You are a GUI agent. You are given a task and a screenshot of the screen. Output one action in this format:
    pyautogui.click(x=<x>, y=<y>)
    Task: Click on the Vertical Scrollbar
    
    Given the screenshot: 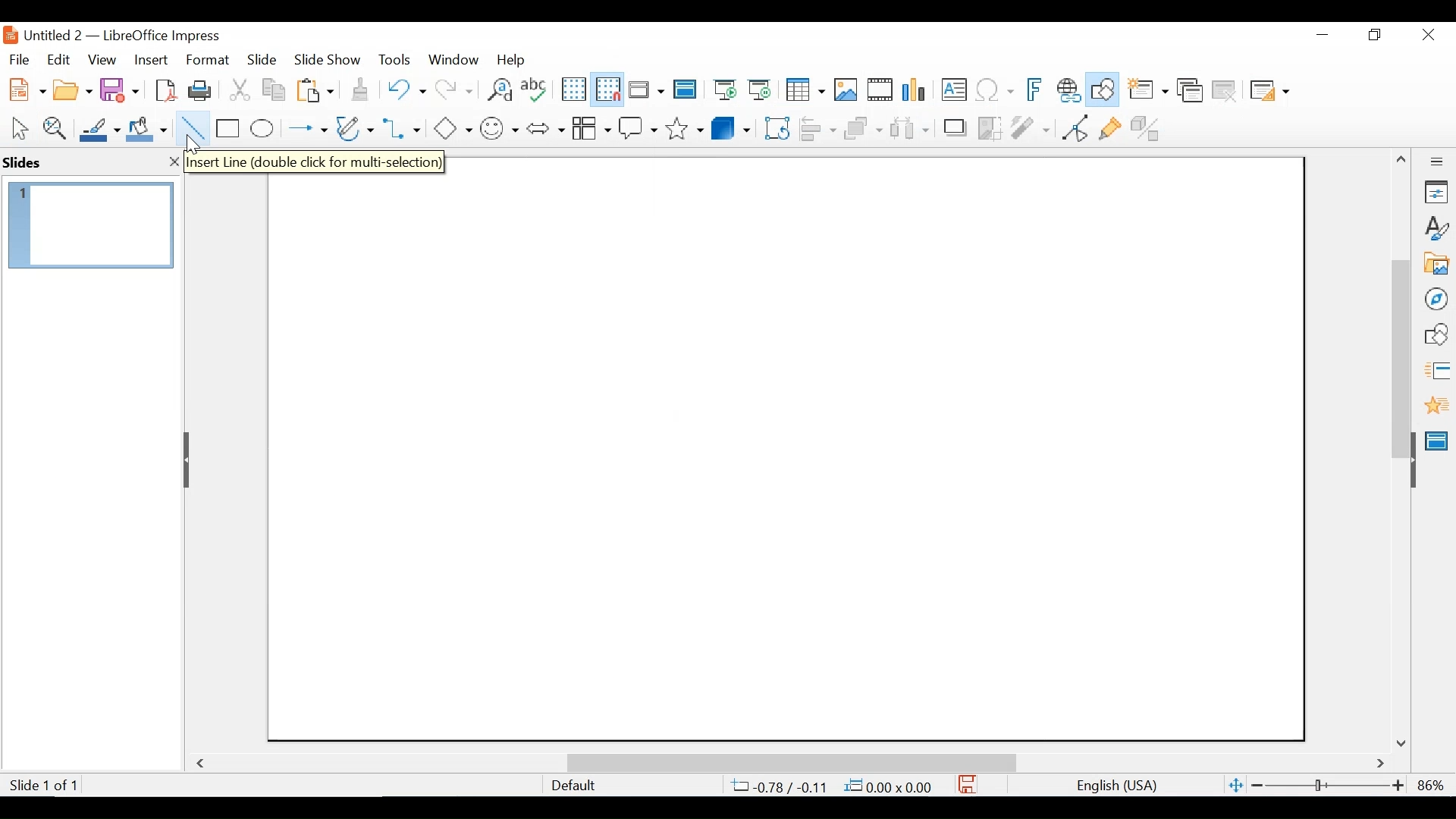 What is the action you would take?
    pyautogui.click(x=1400, y=341)
    